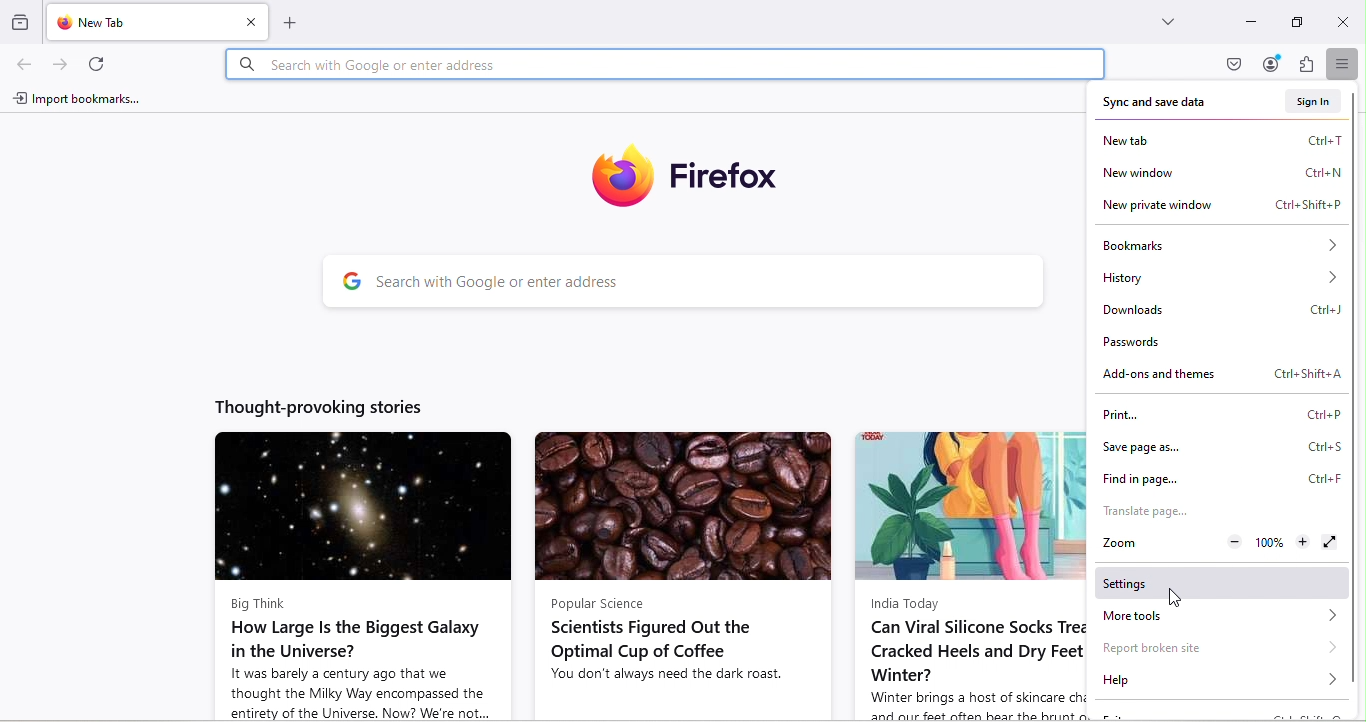 This screenshot has height=722, width=1366. What do you see at coordinates (1217, 581) in the screenshot?
I see `Settings` at bounding box center [1217, 581].